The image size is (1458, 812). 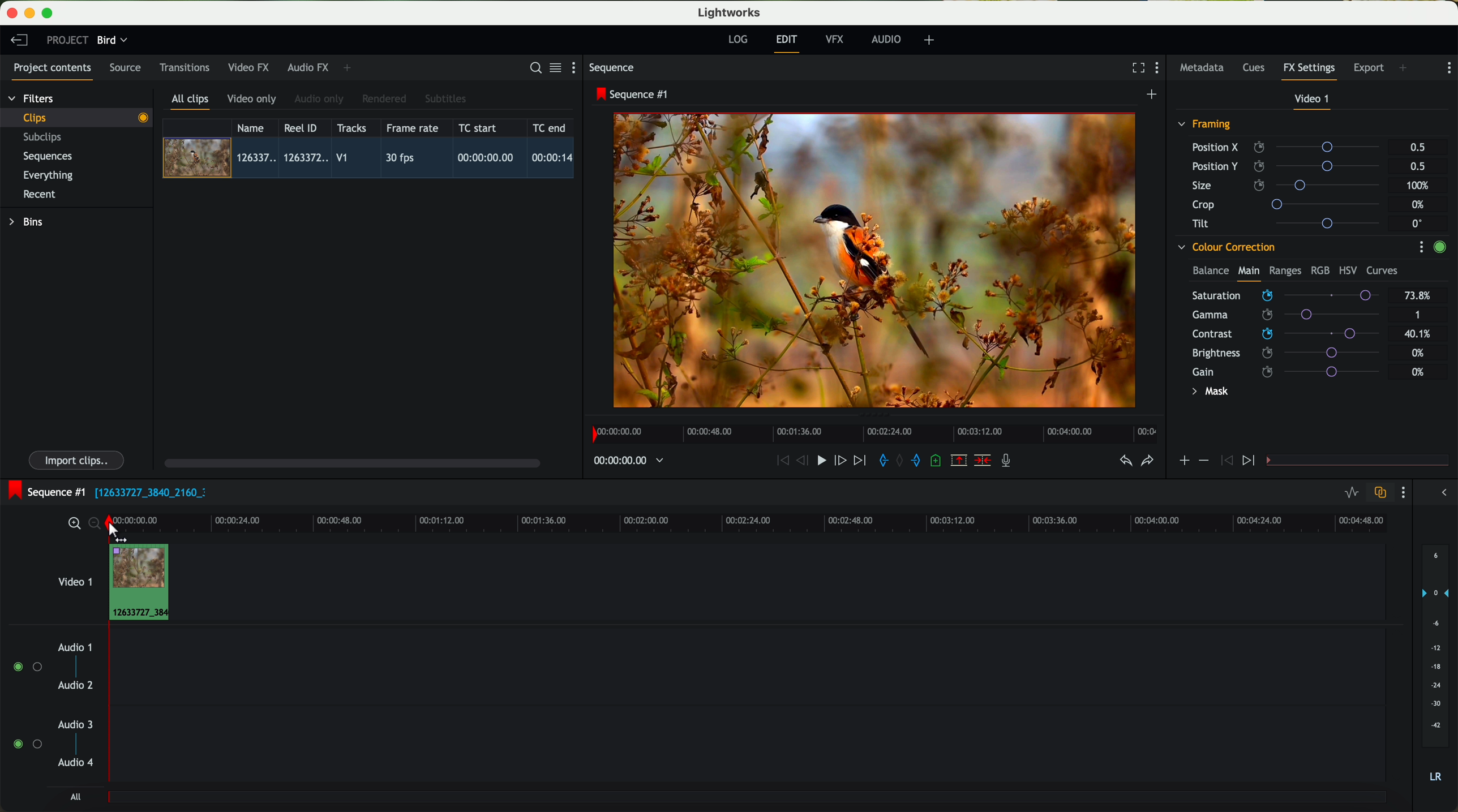 What do you see at coordinates (1319, 269) in the screenshot?
I see `RGB` at bounding box center [1319, 269].